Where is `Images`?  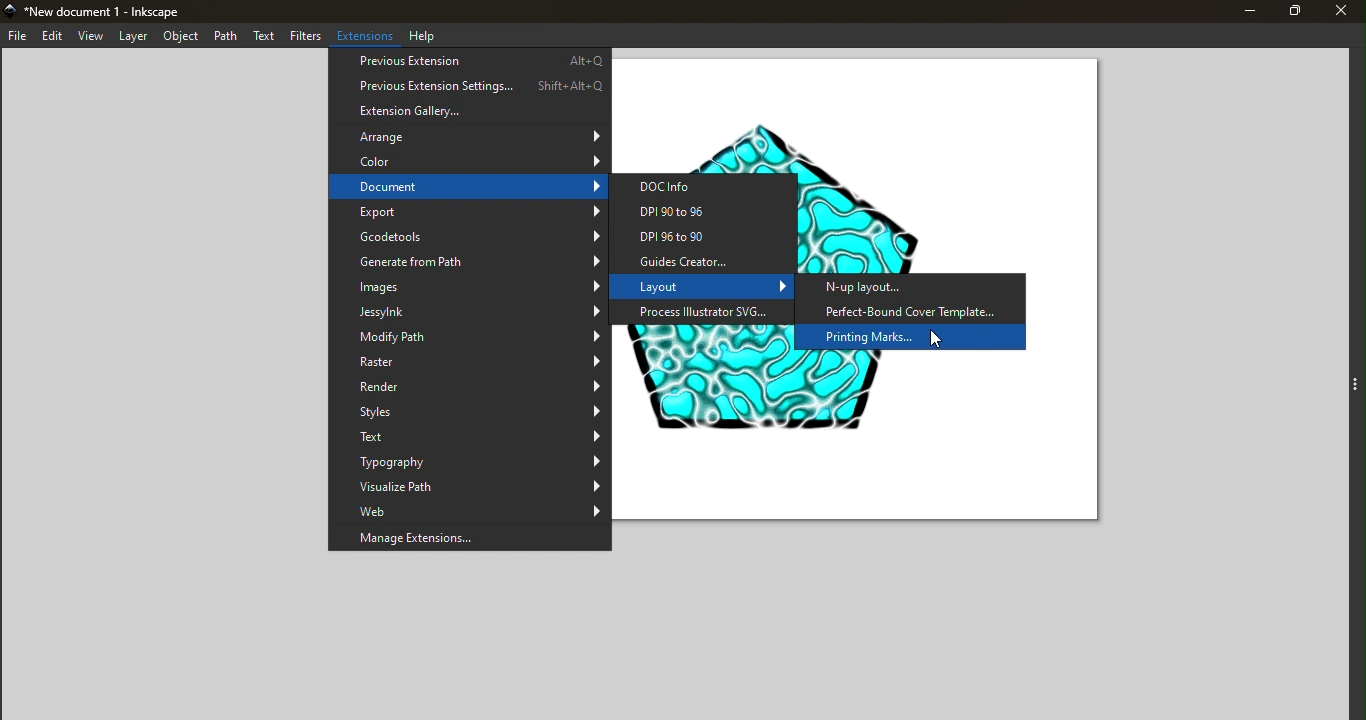
Images is located at coordinates (469, 286).